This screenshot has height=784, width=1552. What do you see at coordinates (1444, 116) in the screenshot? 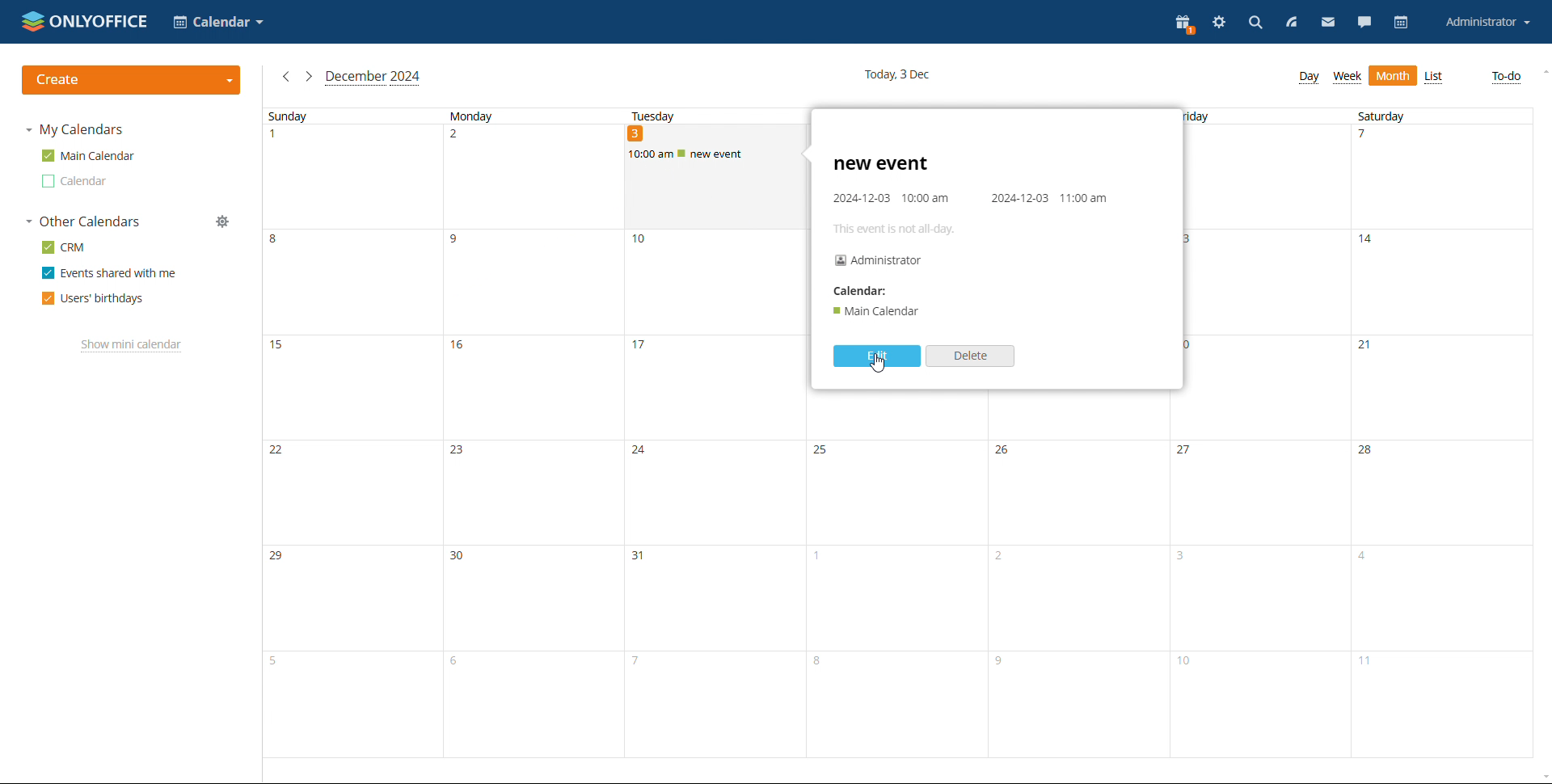
I see `Saturday` at bounding box center [1444, 116].